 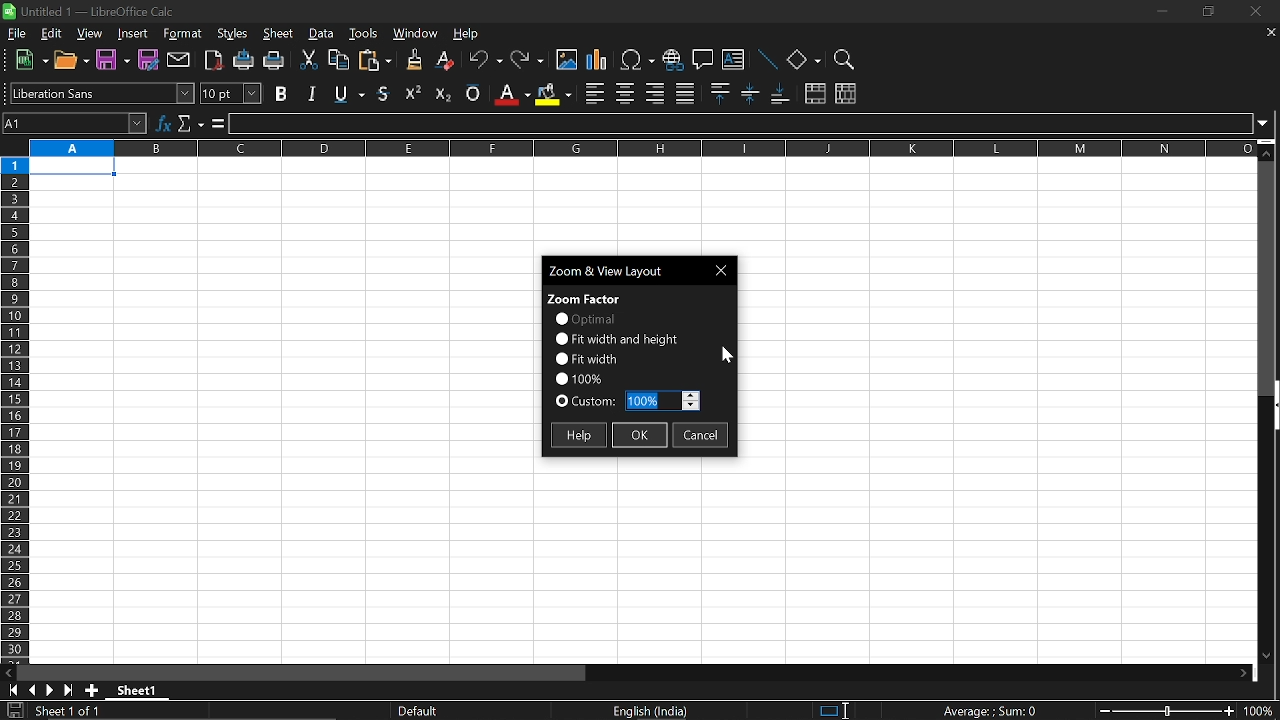 I want to click on edit, so click(x=51, y=34).